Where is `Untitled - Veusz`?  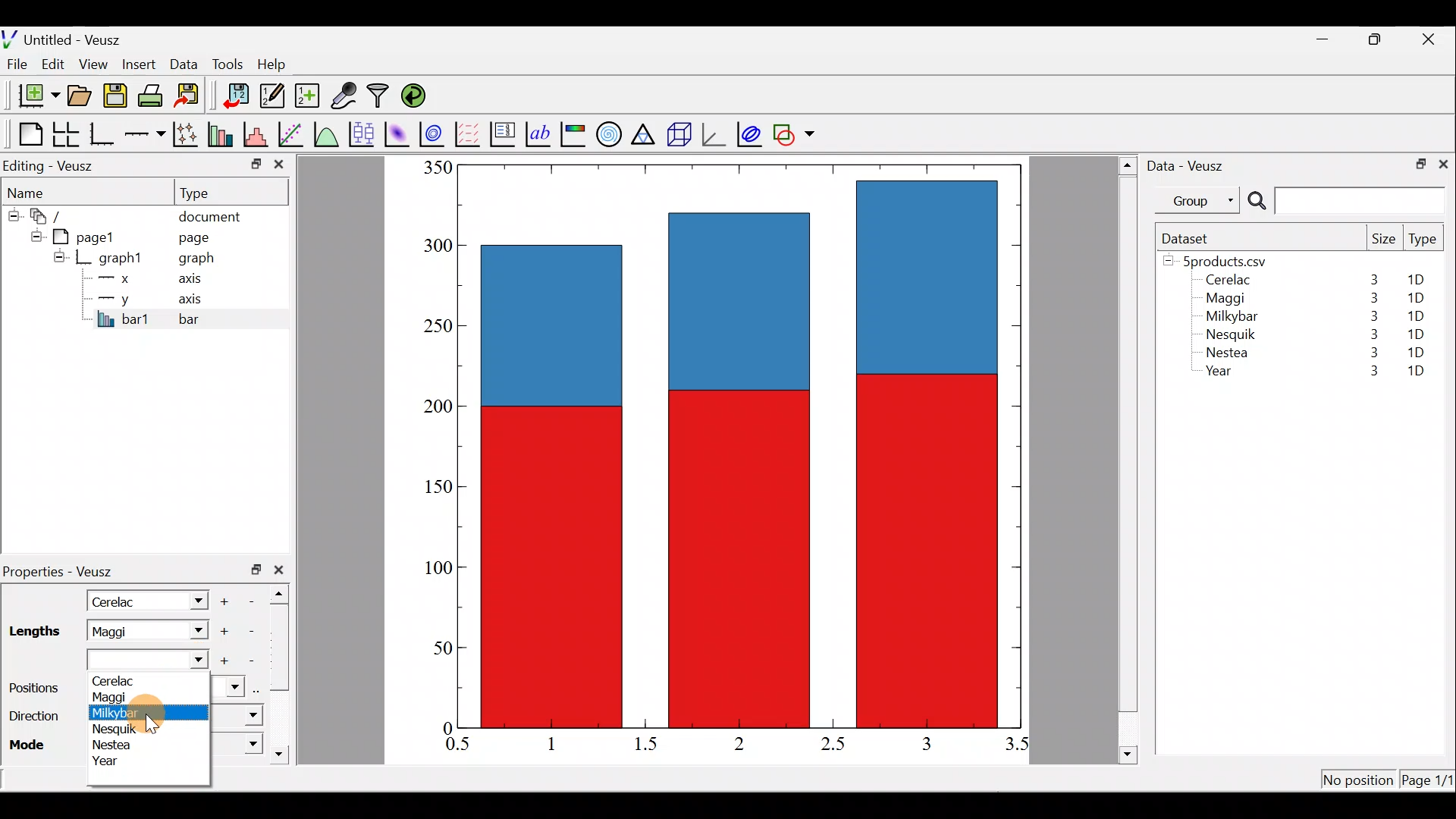
Untitled - Veusz is located at coordinates (67, 37).